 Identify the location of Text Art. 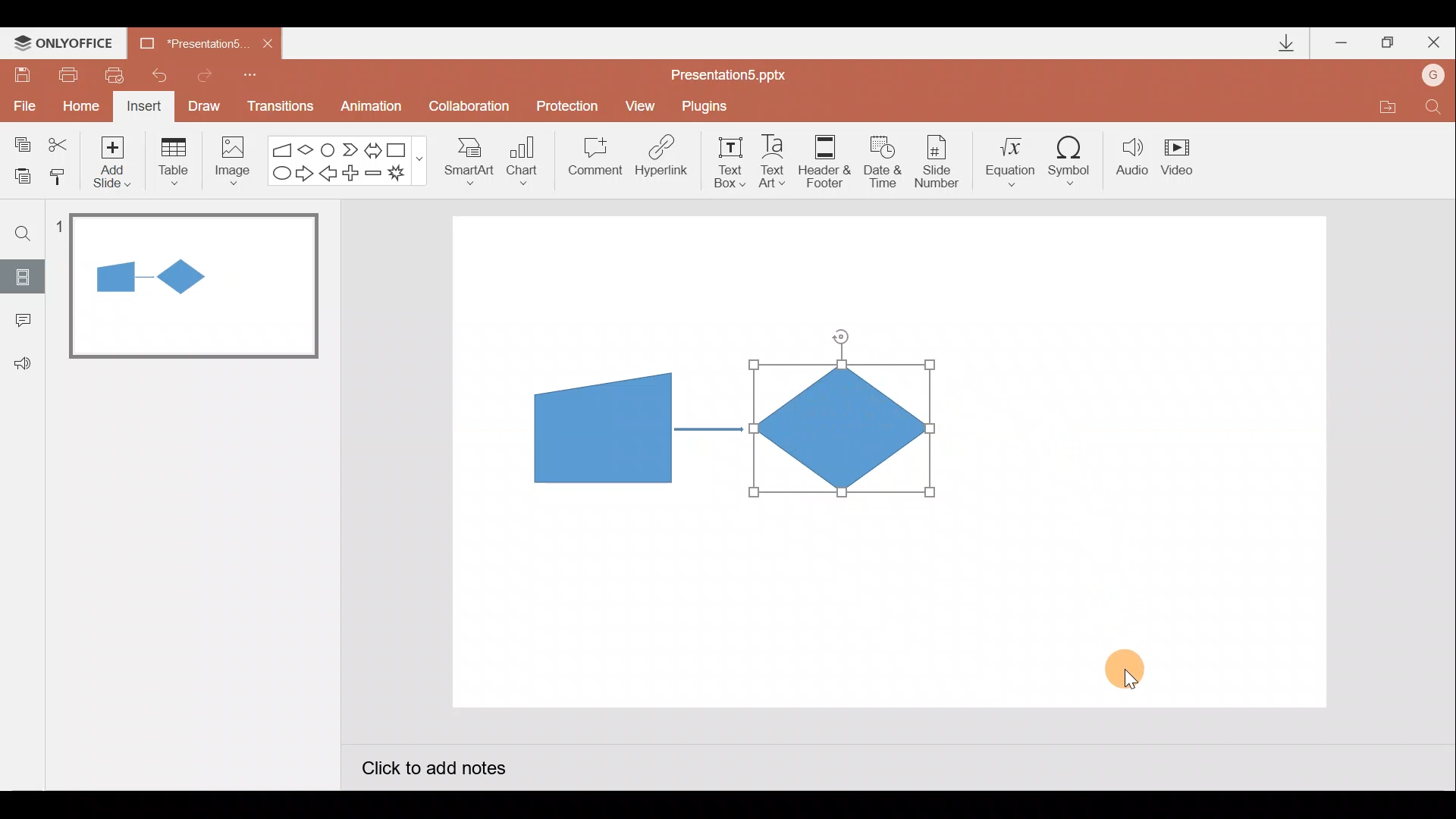
(777, 161).